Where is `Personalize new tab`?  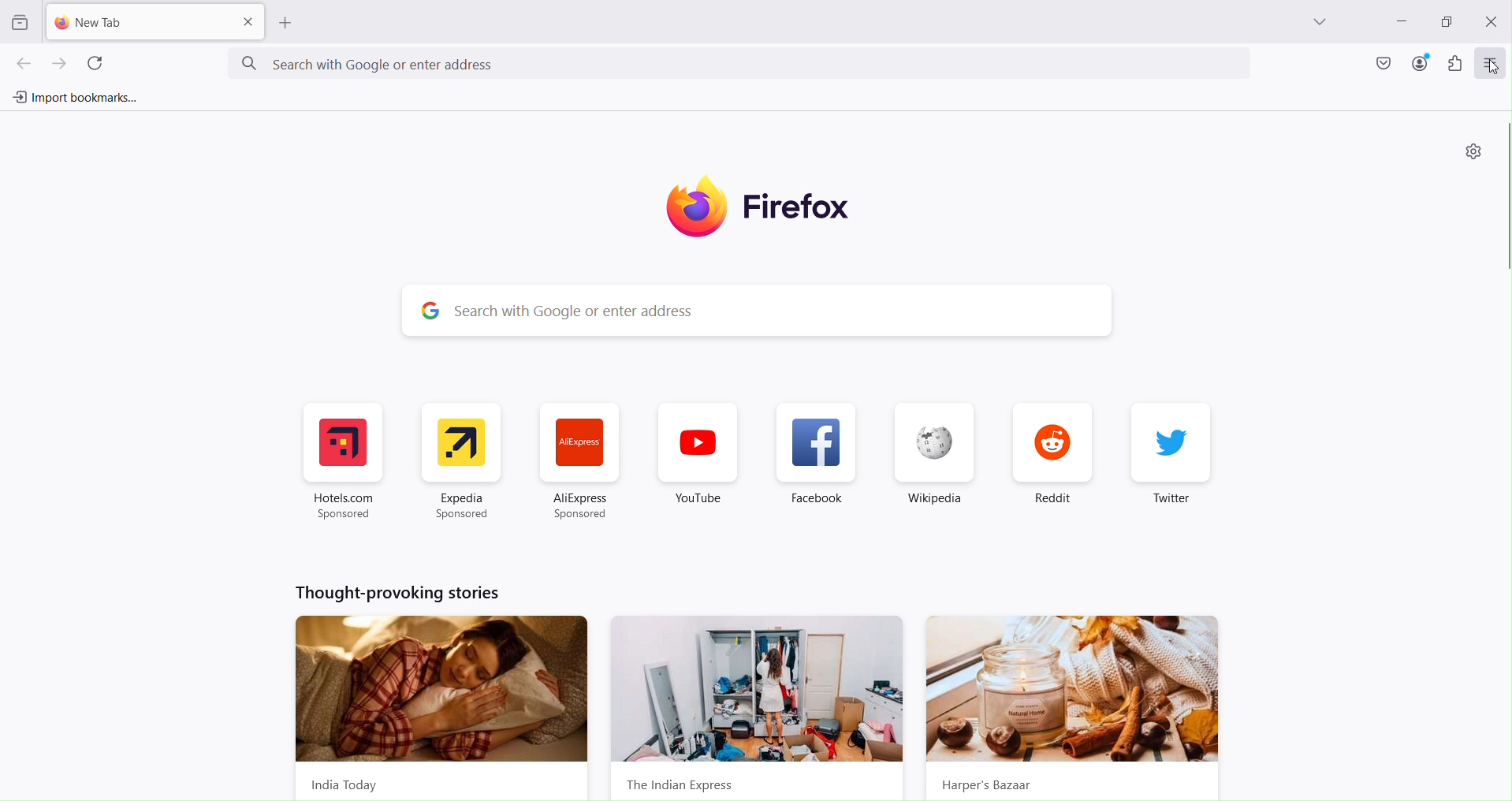 Personalize new tab is located at coordinates (1472, 153).